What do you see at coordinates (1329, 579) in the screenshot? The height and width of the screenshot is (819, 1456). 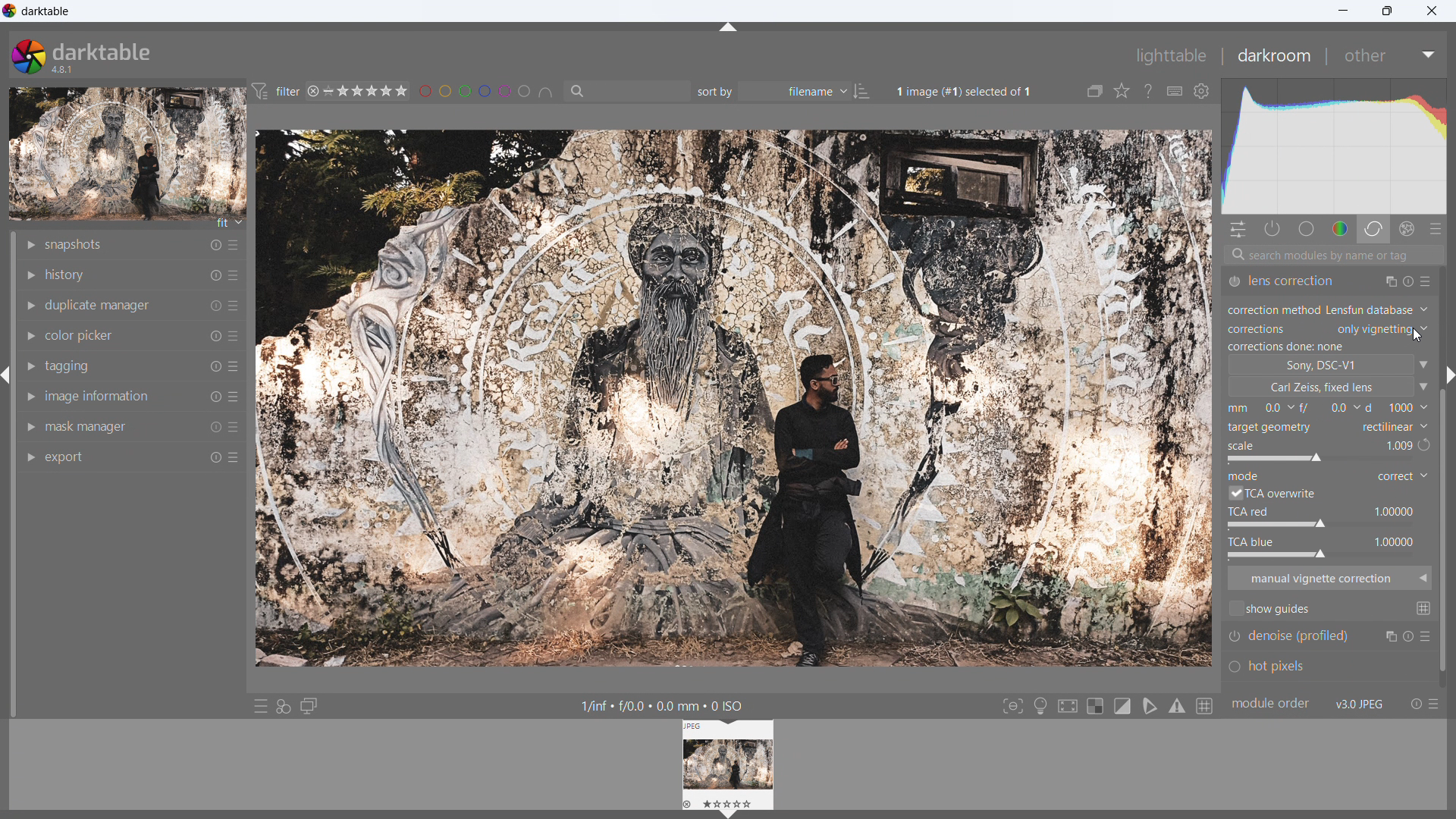 I see `manual vignette correction` at bounding box center [1329, 579].